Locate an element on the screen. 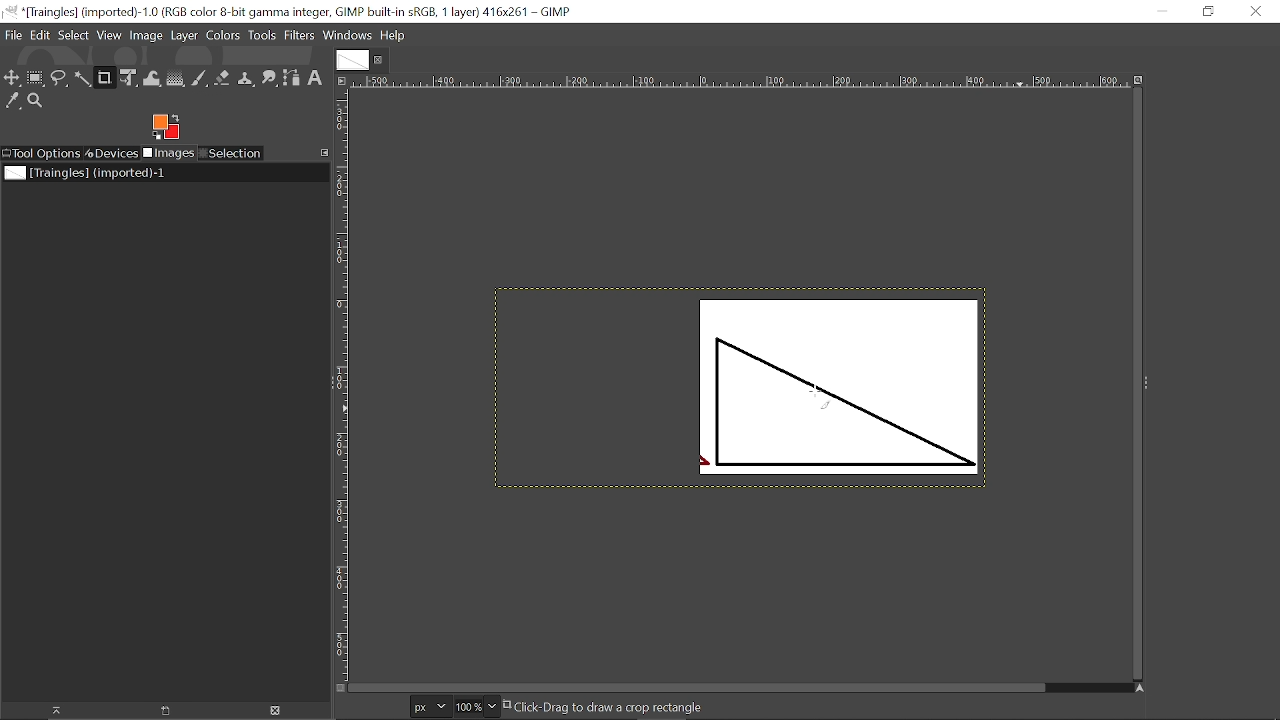 The width and height of the screenshot is (1280, 720). Devices is located at coordinates (112, 153).